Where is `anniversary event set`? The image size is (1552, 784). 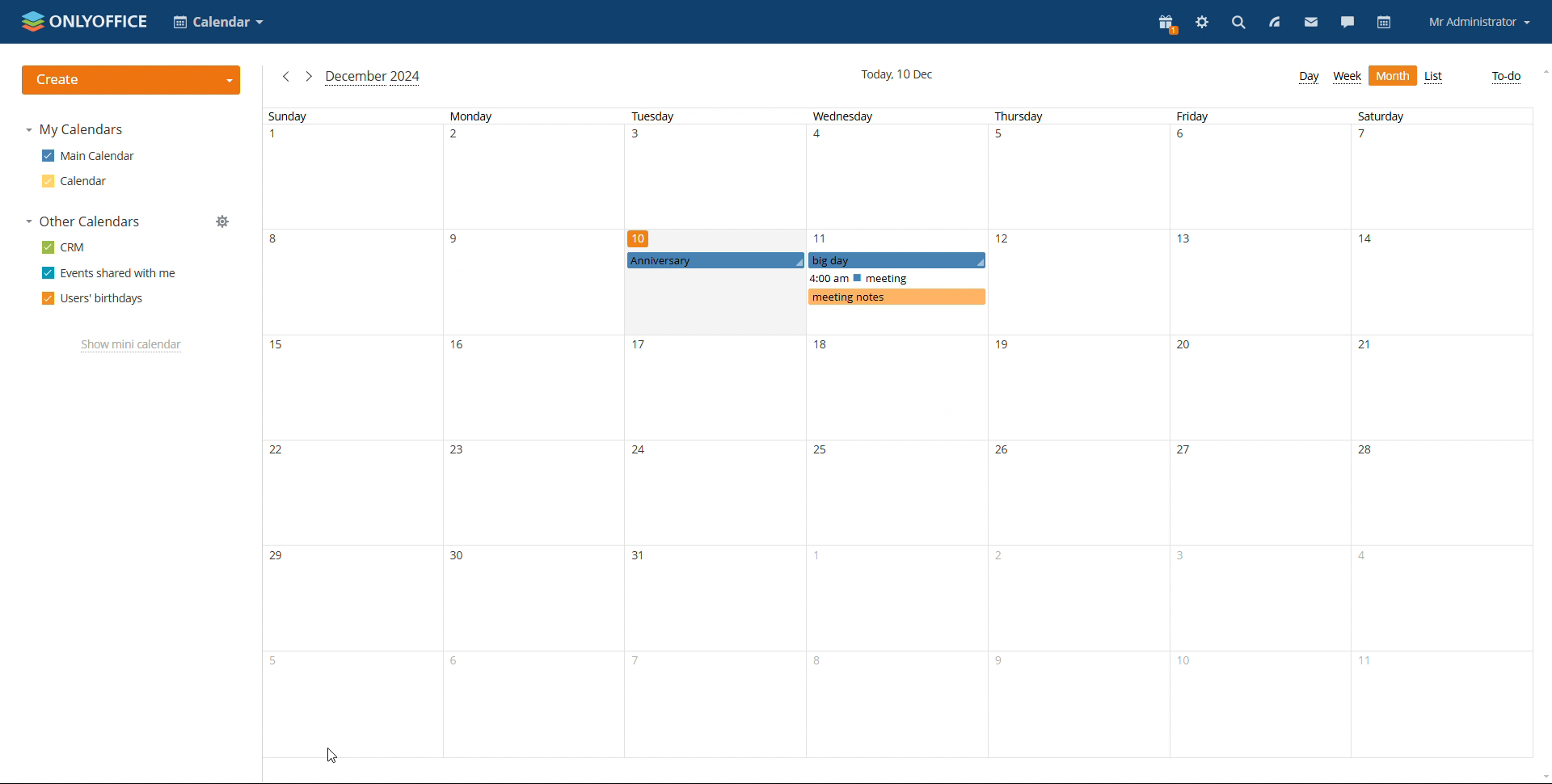 anniversary event set is located at coordinates (715, 259).